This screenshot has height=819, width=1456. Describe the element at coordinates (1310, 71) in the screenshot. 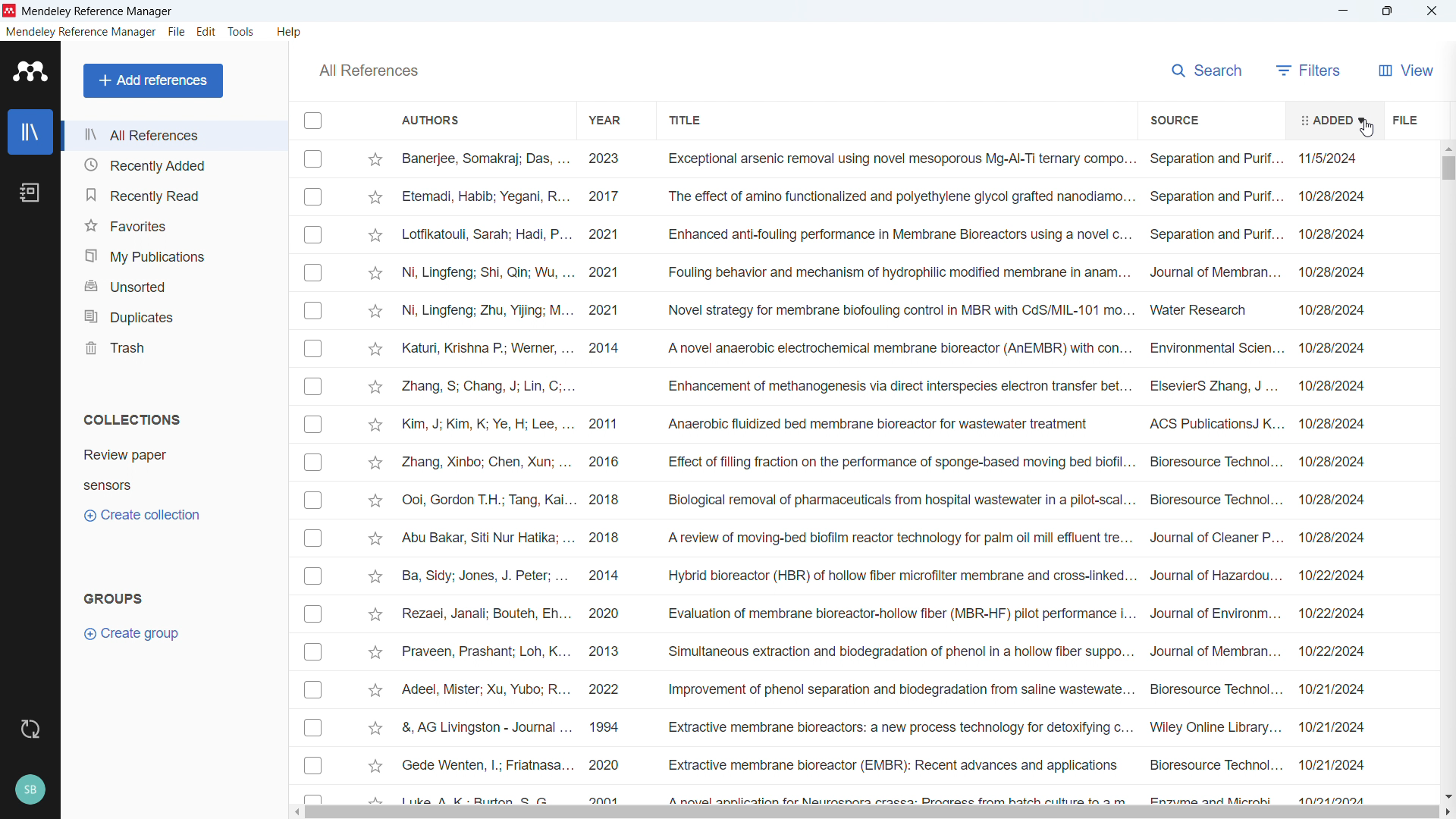

I see `filters` at that location.